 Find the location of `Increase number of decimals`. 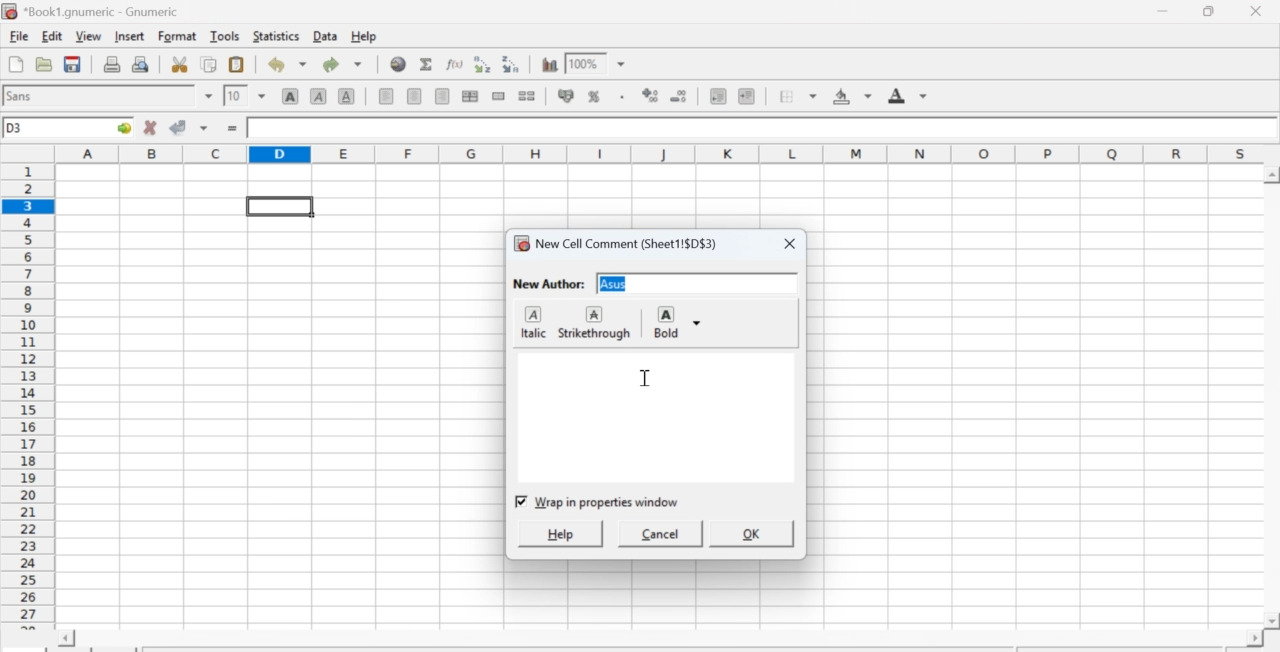

Increase number of decimals is located at coordinates (651, 95).